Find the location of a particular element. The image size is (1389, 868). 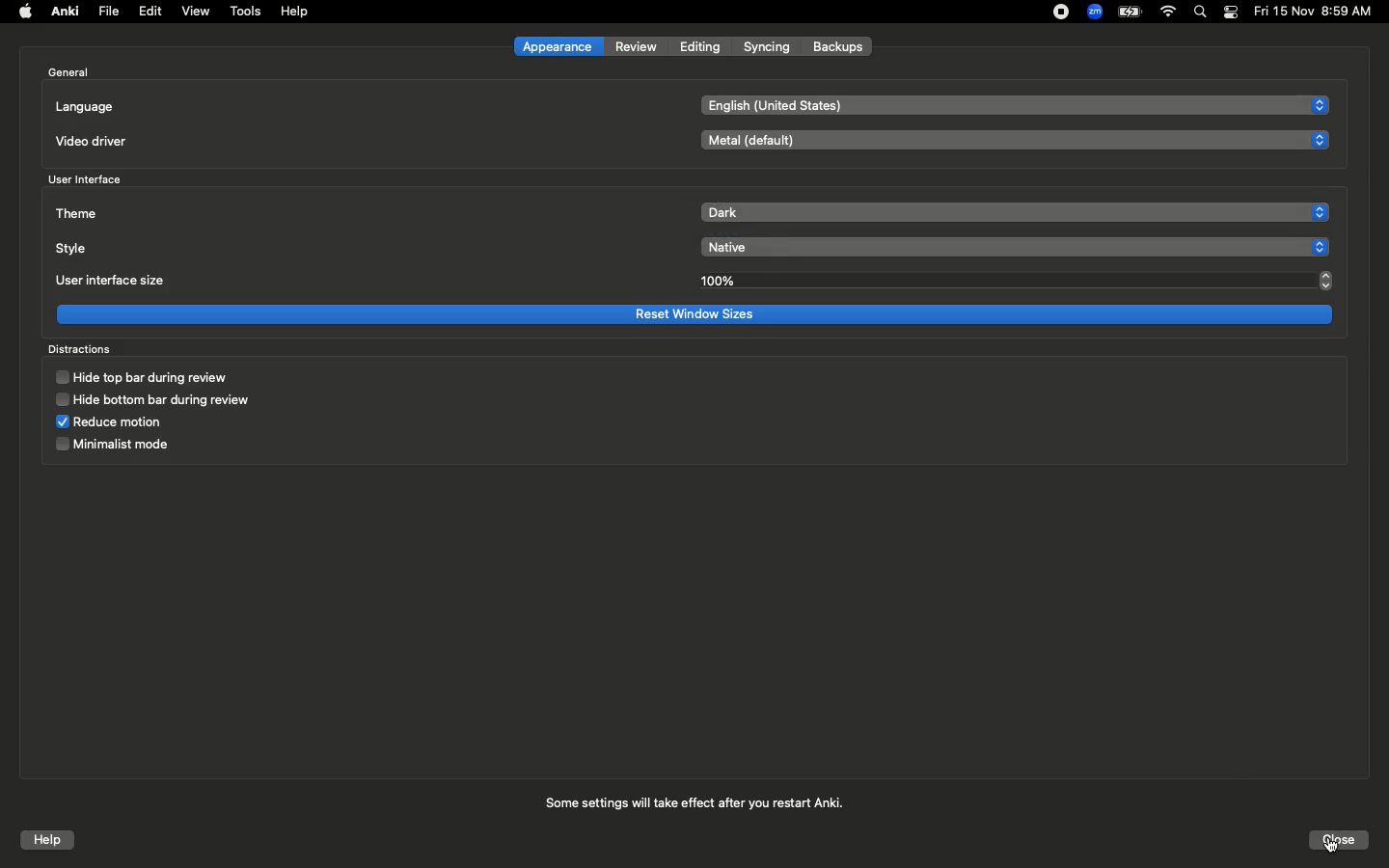

Metal is located at coordinates (1013, 140).